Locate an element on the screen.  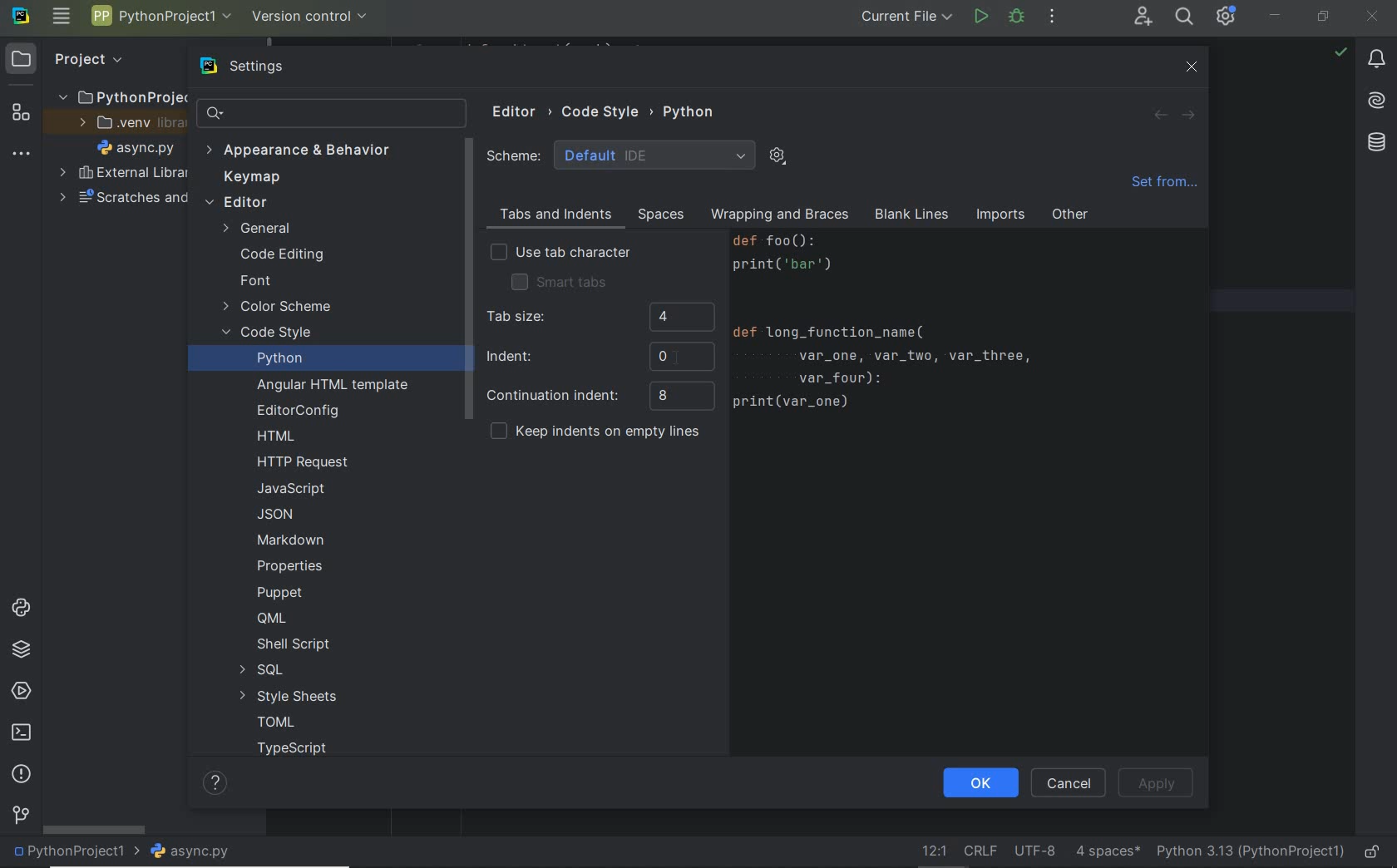
STYLE SHEETS is located at coordinates (289, 696).